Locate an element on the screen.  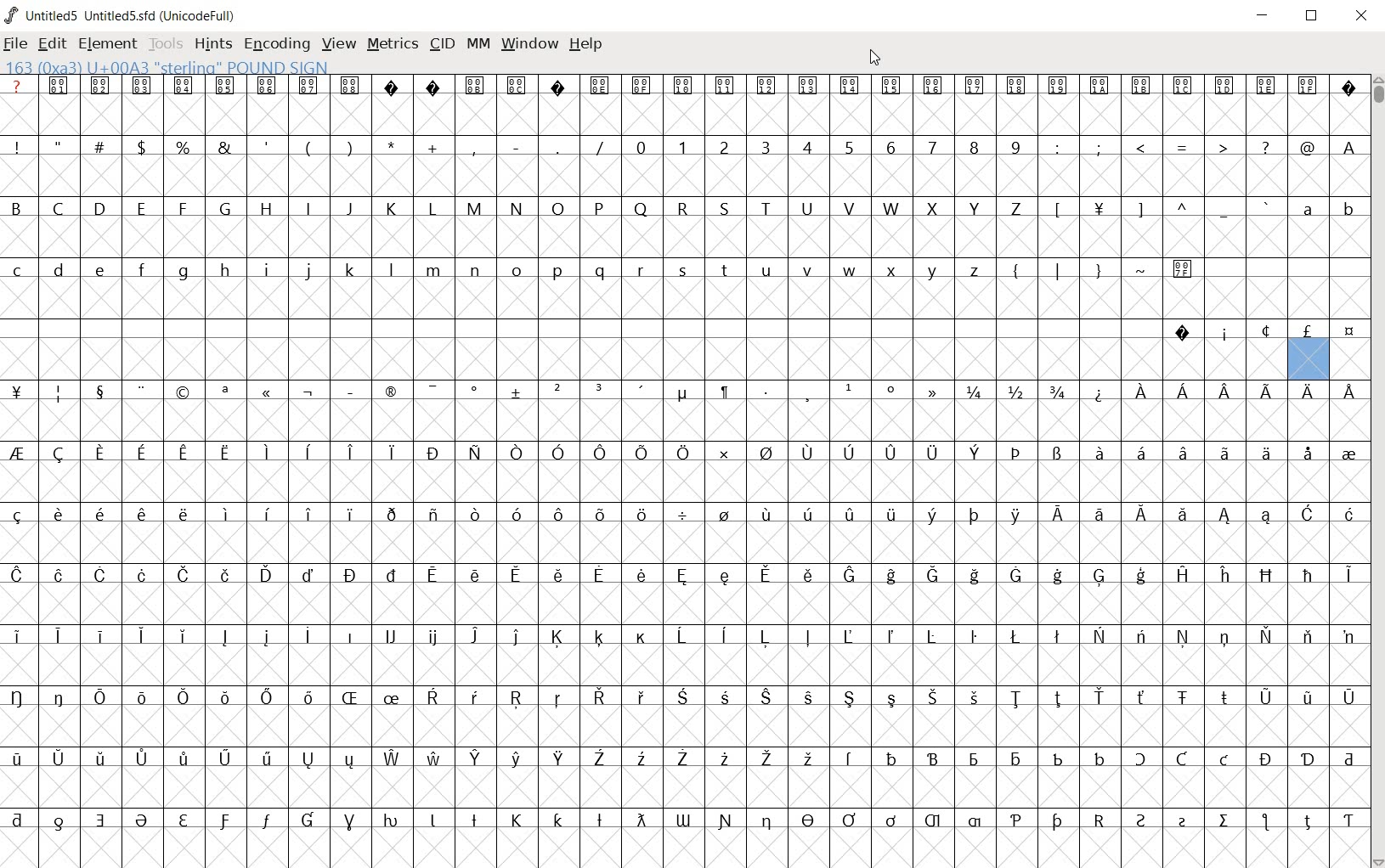
Symbol is located at coordinates (1348, 389).